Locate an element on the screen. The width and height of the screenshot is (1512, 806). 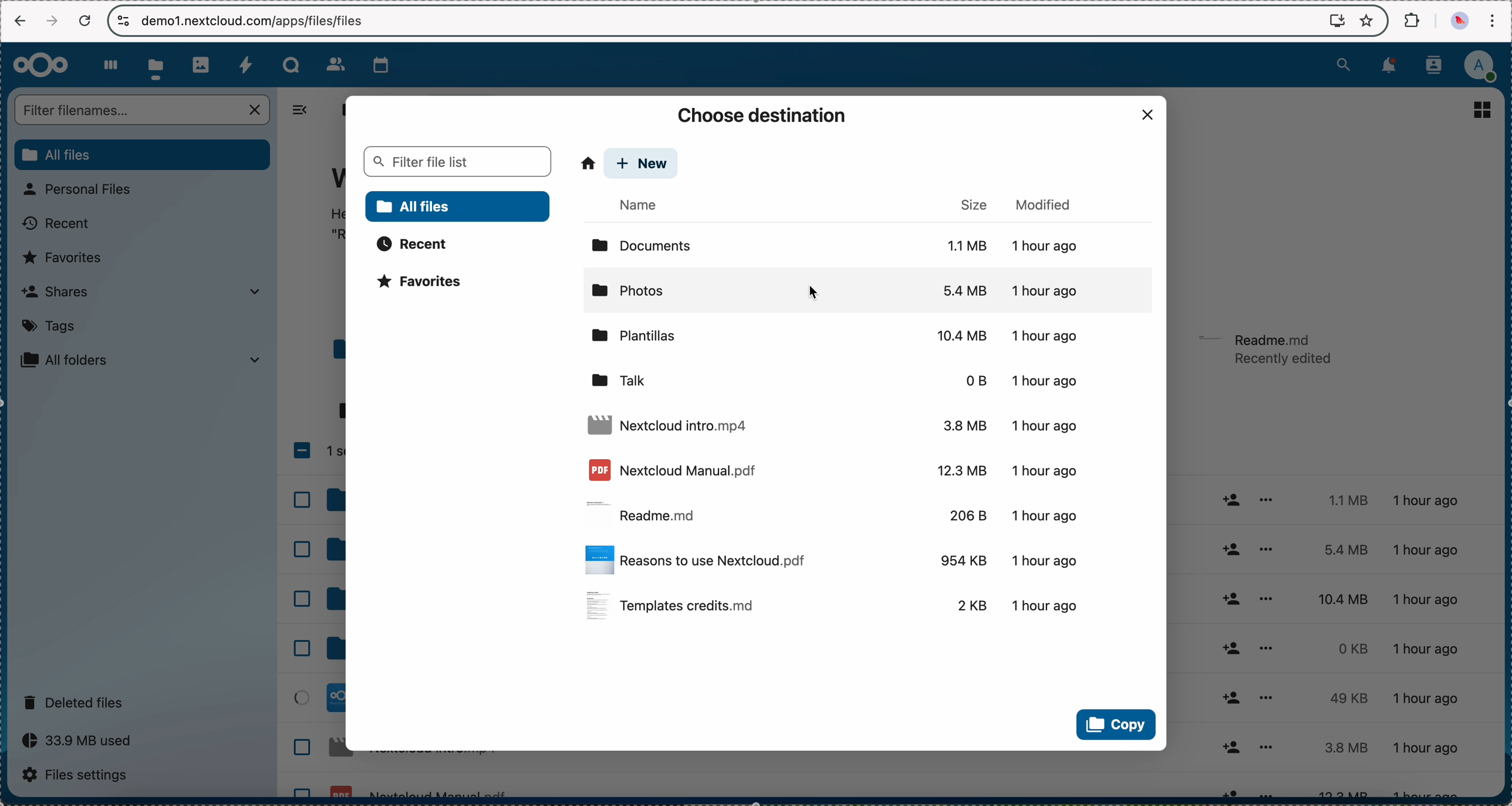
shares is located at coordinates (141, 292).